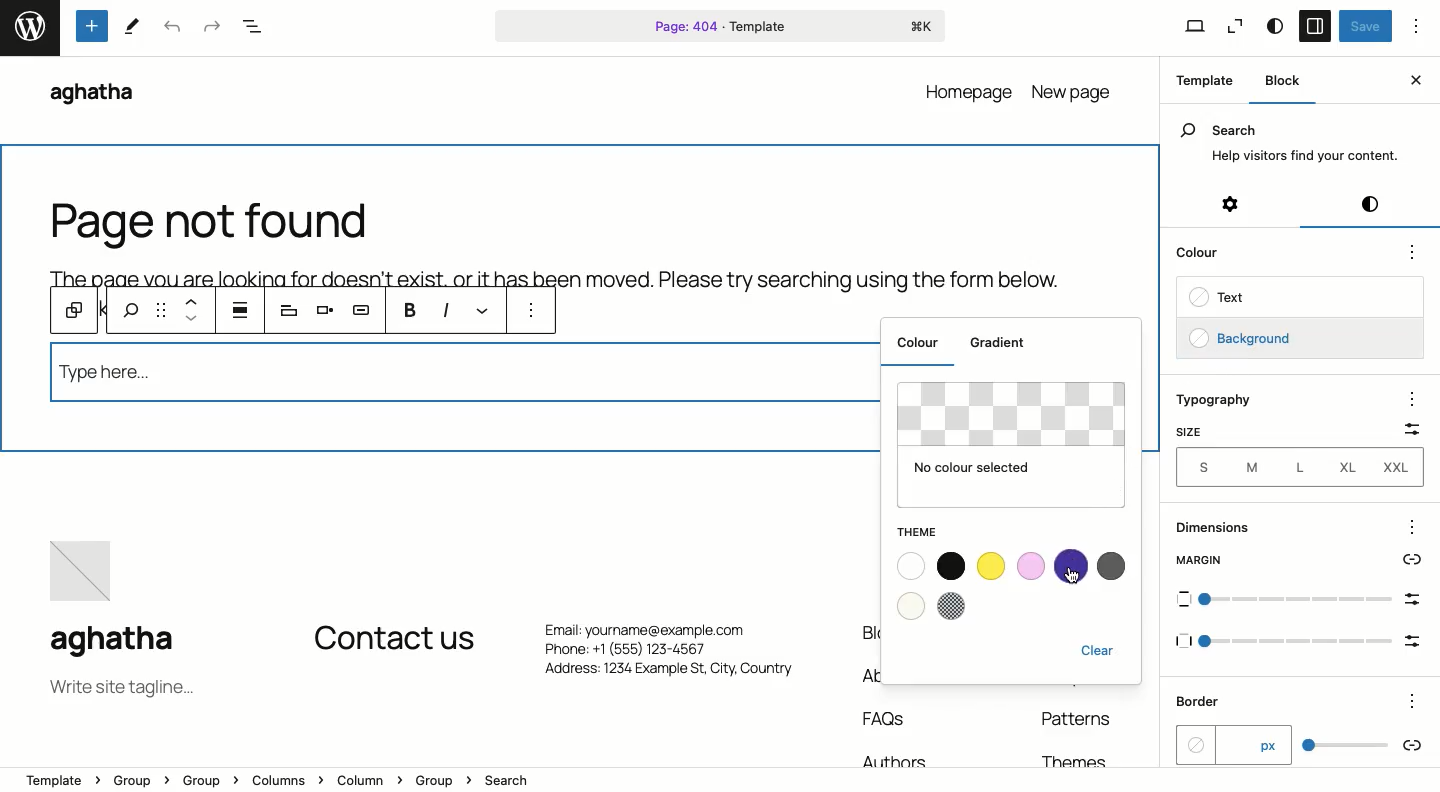 This screenshot has height=792, width=1440. What do you see at coordinates (925, 531) in the screenshot?
I see `Theme` at bounding box center [925, 531].